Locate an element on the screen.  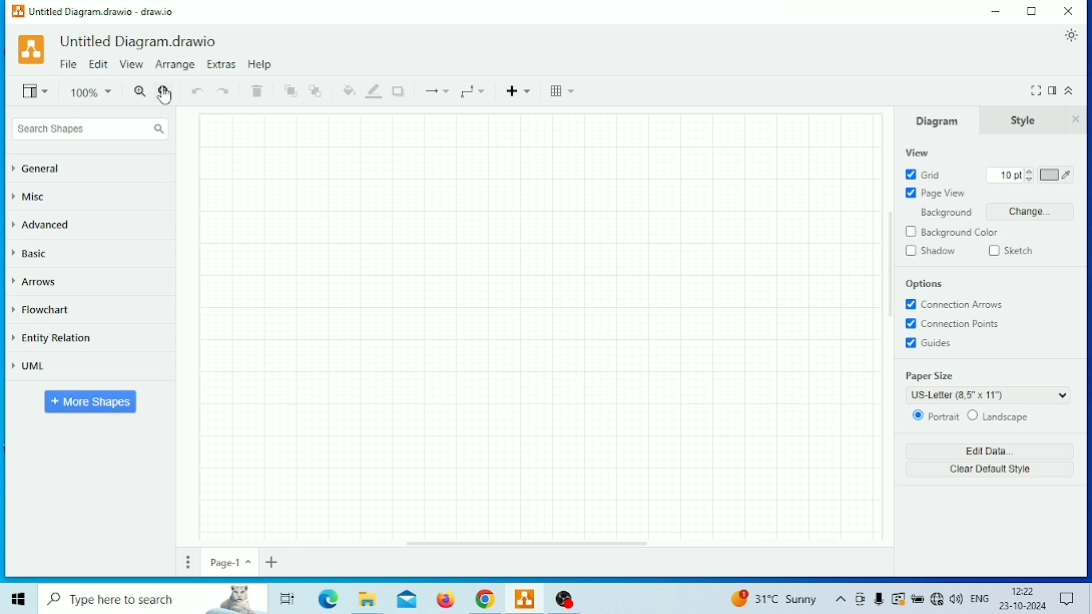
More Shapes is located at coordinates (92, 402).